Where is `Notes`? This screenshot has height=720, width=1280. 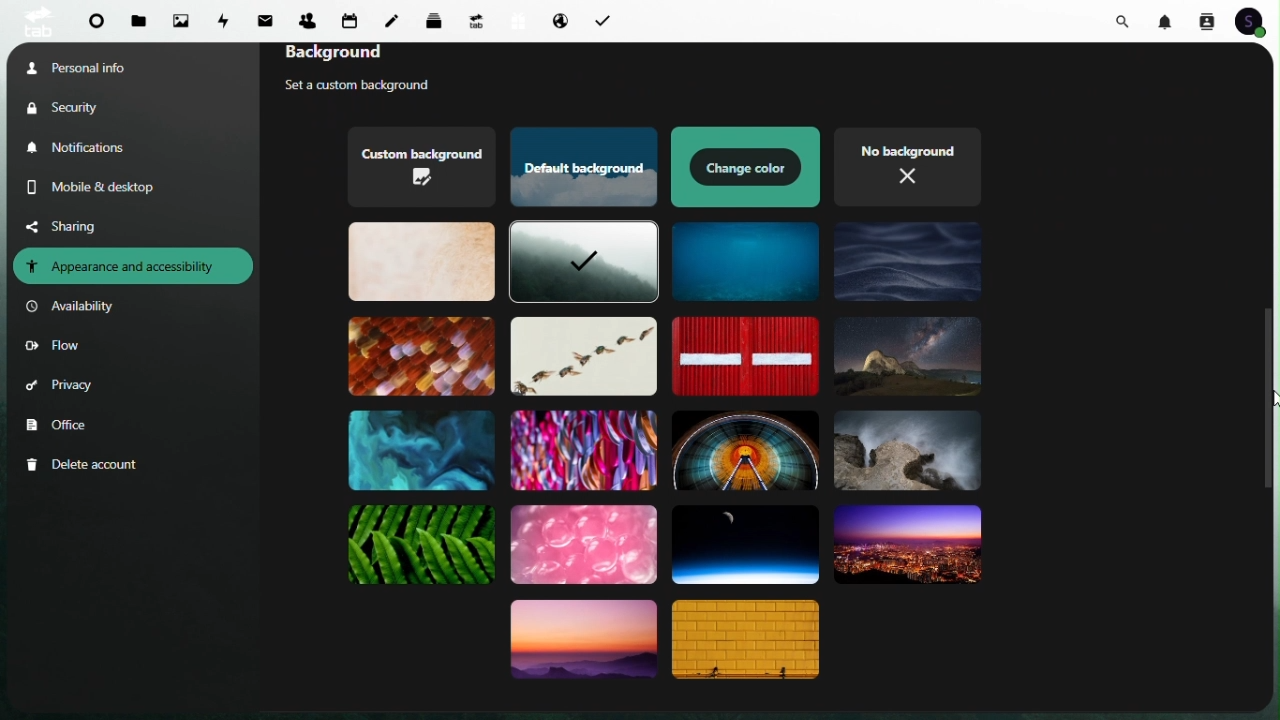 Notes is located at coordinates (397, 16).